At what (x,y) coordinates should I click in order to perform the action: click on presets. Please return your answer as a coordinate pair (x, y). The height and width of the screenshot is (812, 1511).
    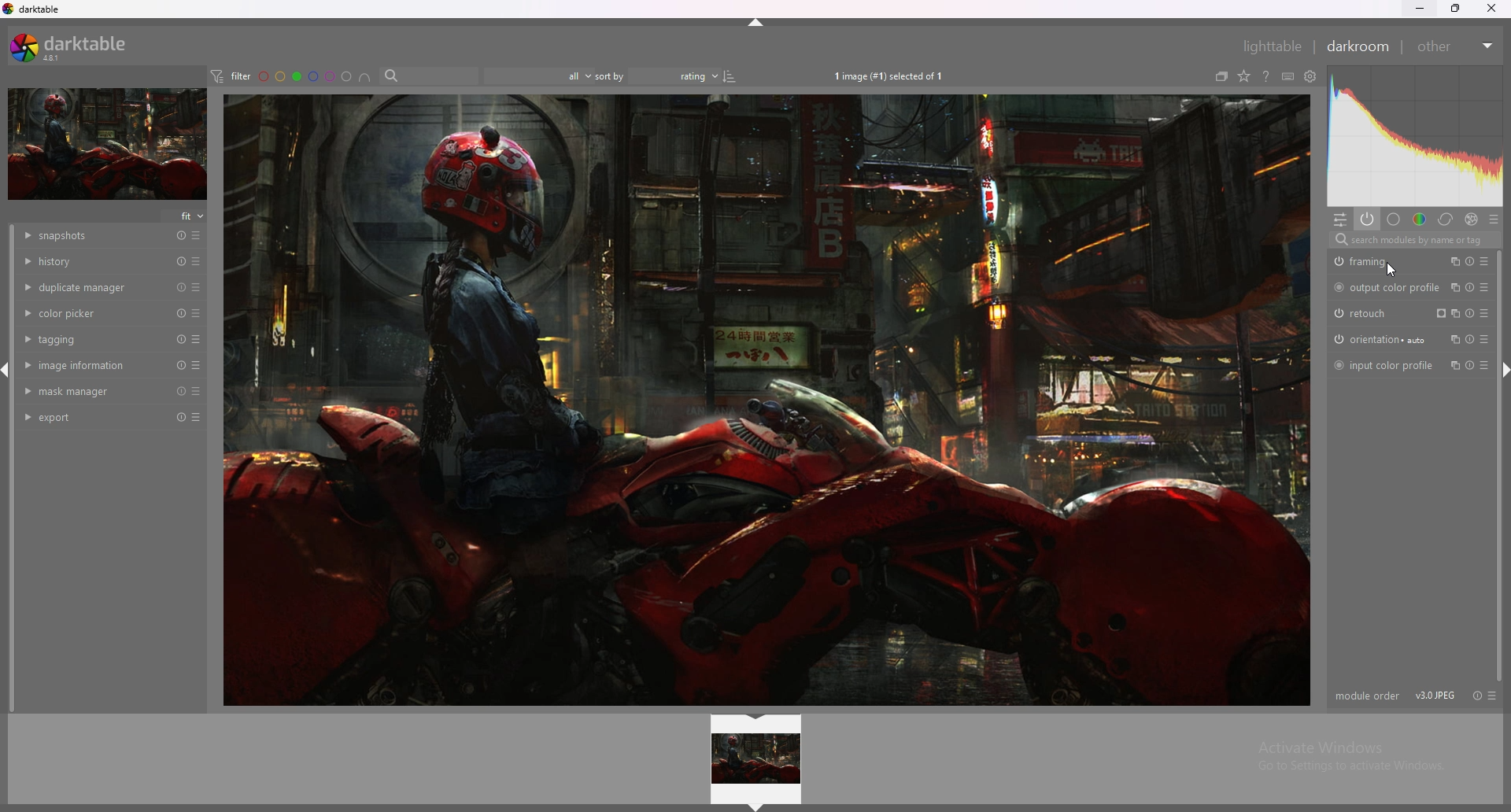
    Looking at the image, I should click on (198, 313).